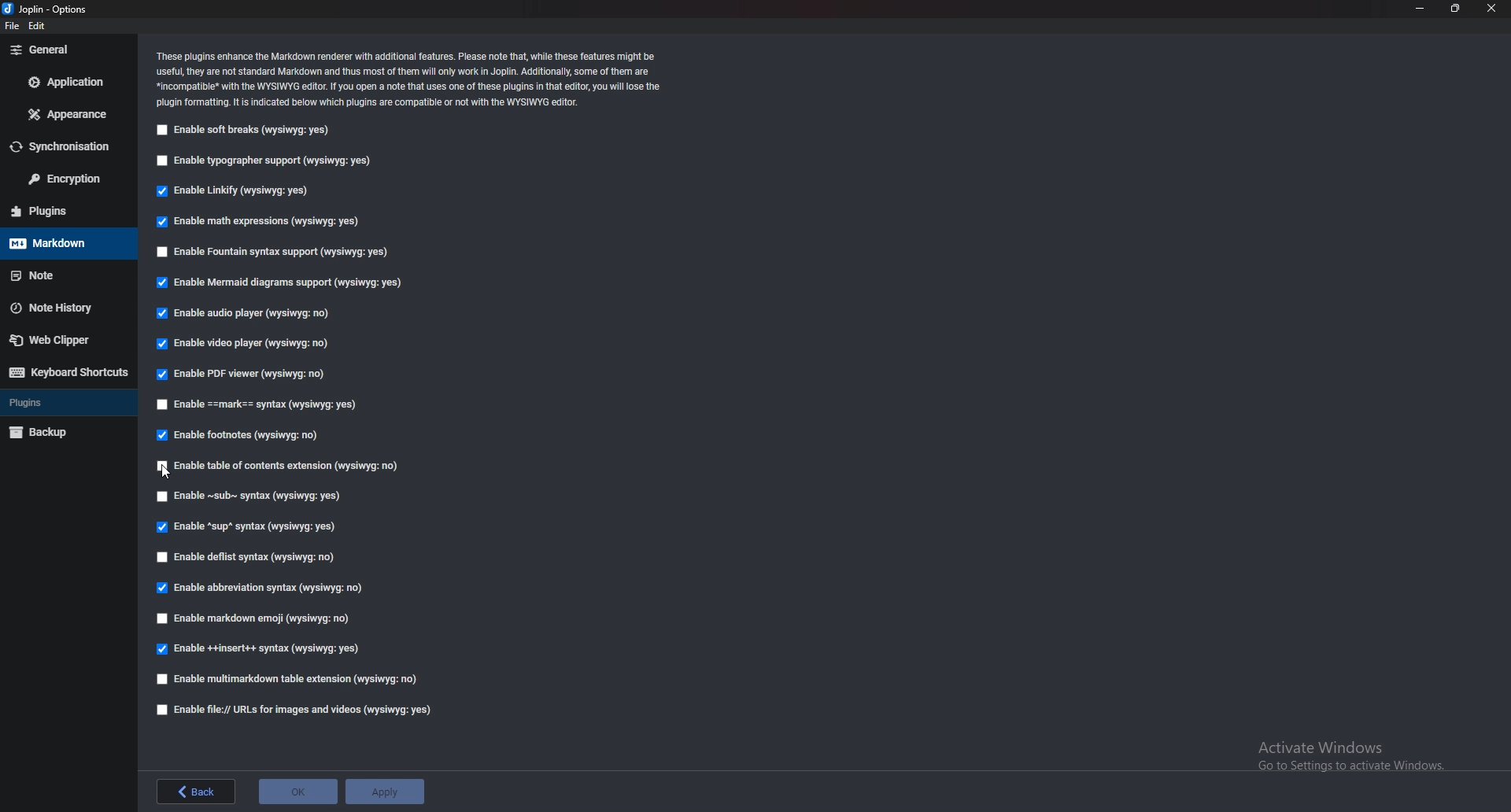  What do you see at coordinates (46, 9) in the screenshot?
I see `Joblin - options (logo and name)` at bounding box center [46, 9].